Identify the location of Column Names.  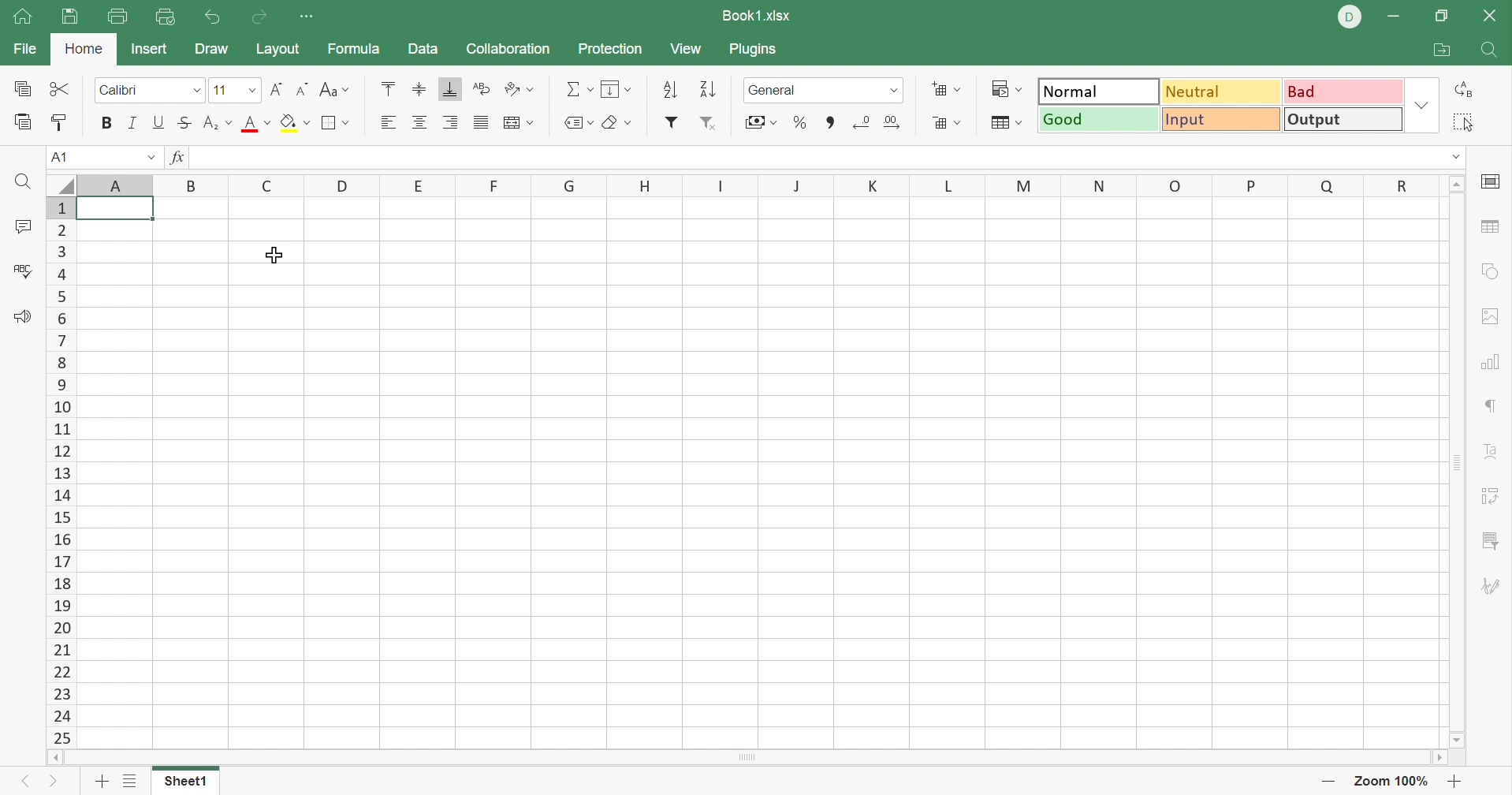
(753, 188).